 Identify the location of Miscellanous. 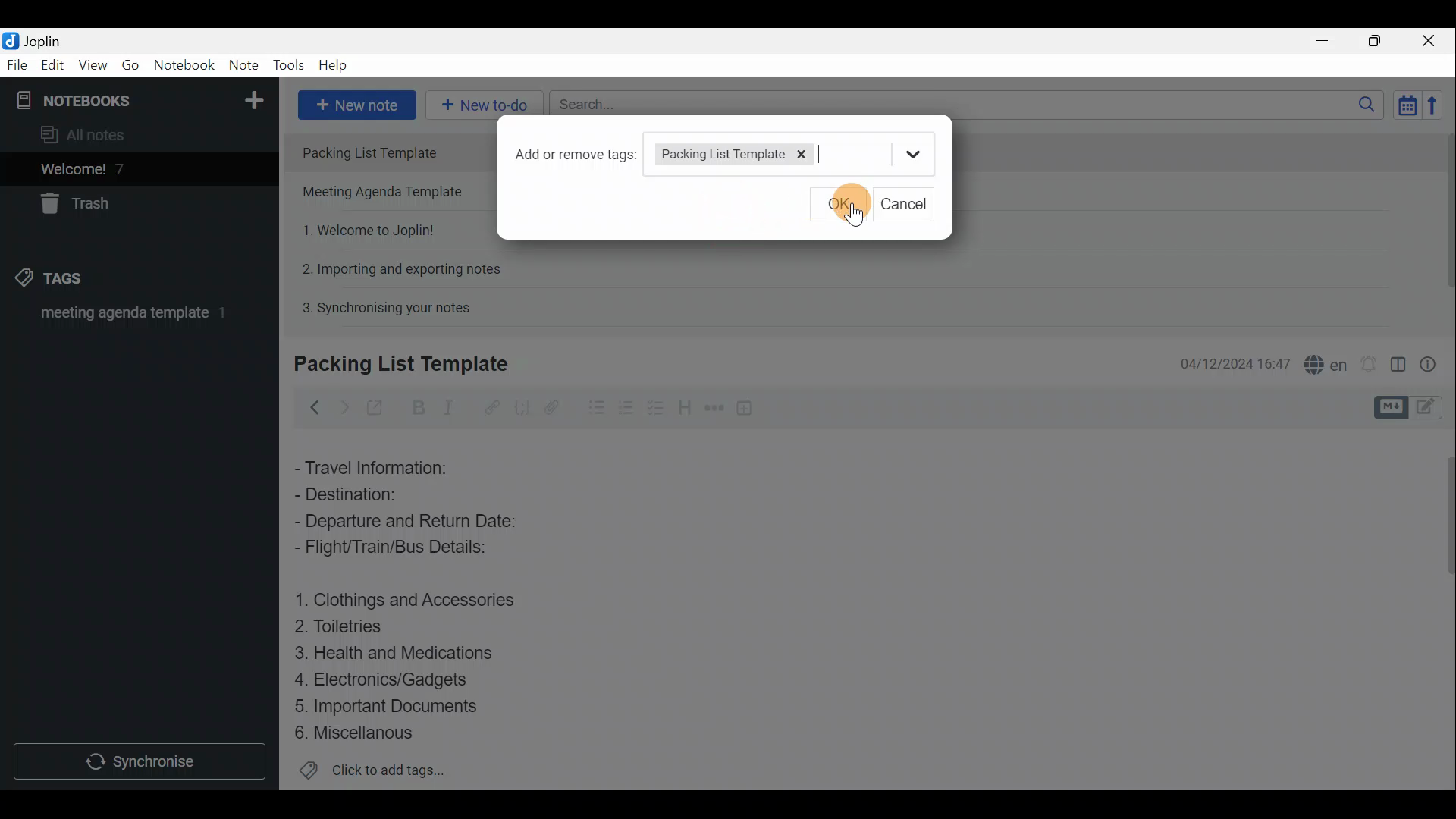
(356, 733).